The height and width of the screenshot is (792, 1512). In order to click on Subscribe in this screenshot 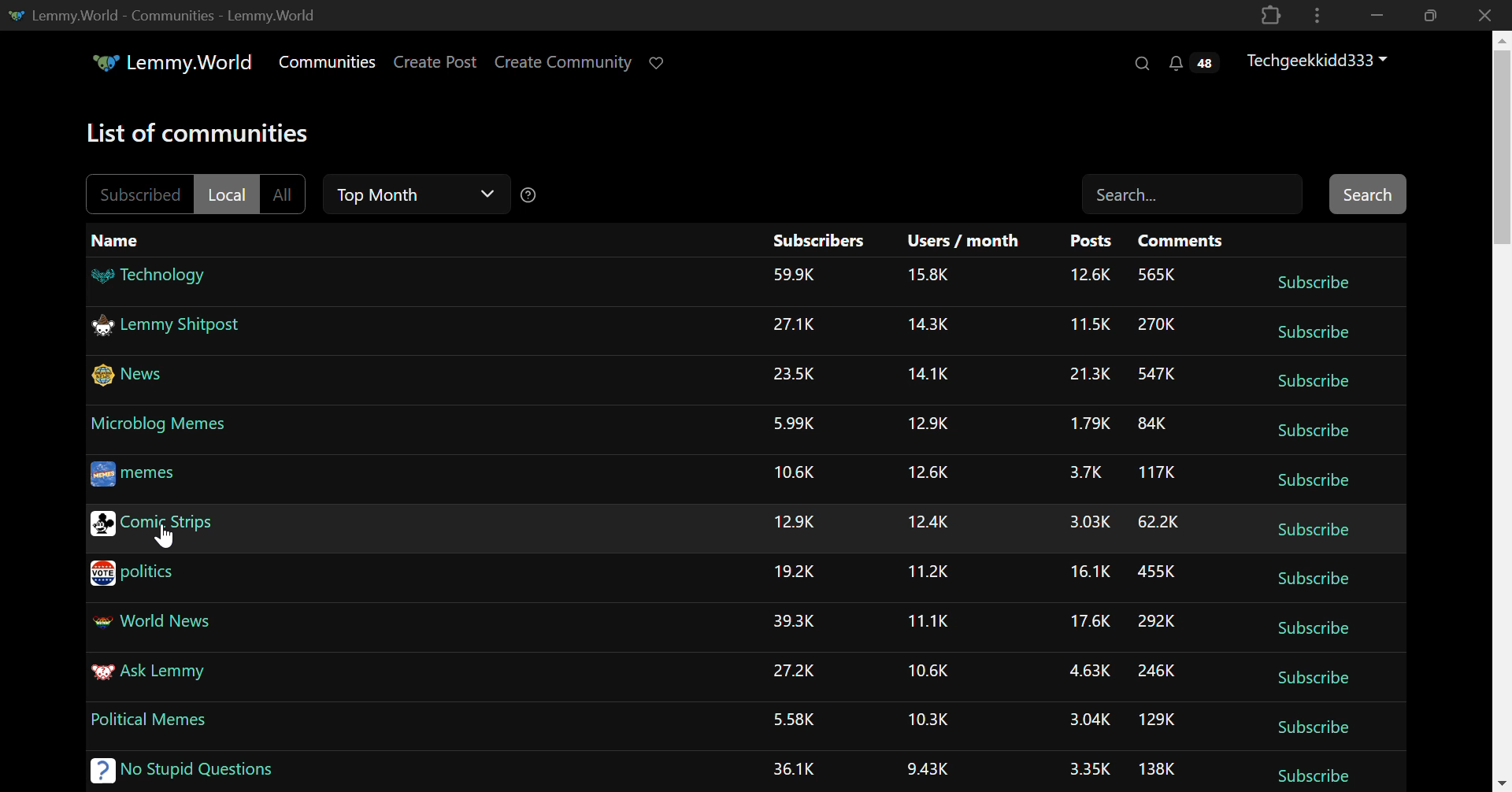, I will do `click(1315, 529)`.